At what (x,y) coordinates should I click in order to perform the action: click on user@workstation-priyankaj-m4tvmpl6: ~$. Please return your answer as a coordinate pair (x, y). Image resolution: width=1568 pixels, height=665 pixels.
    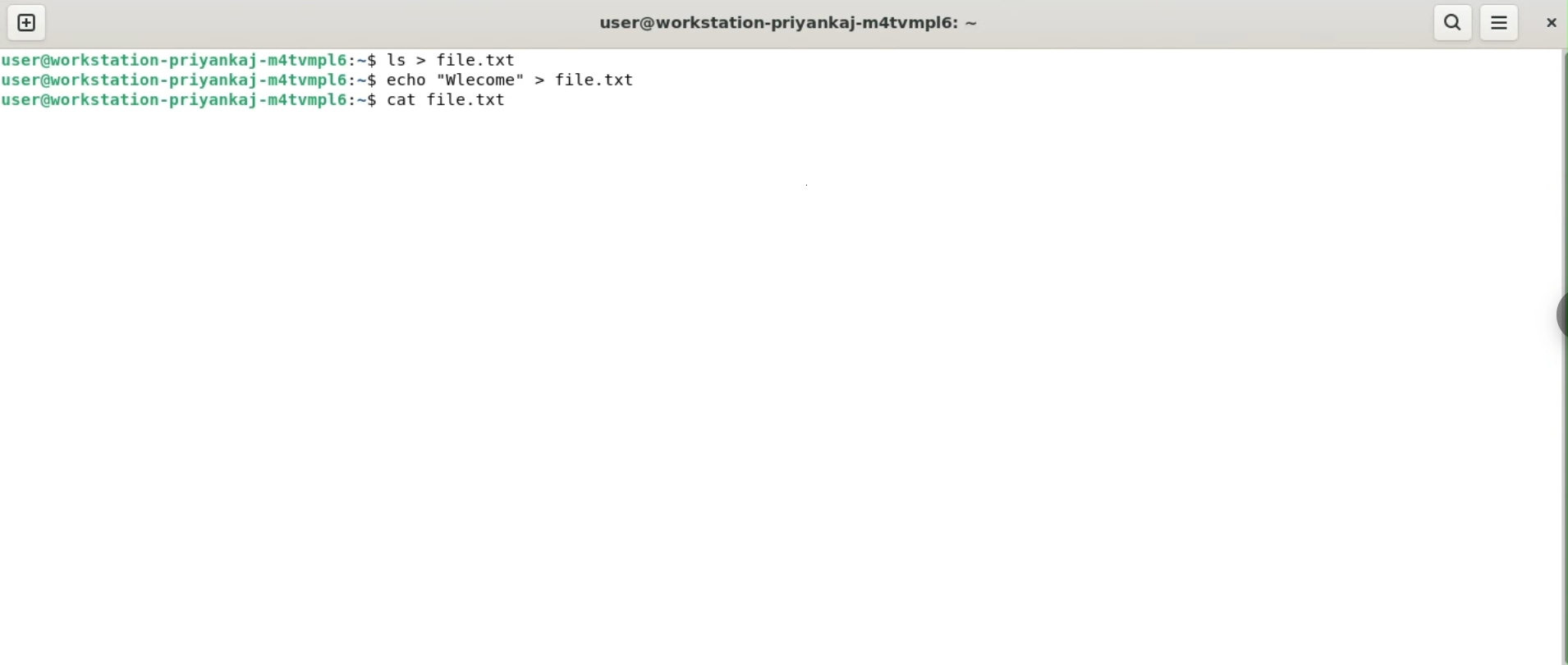
    Looking at the image, I should click on (190, 58).